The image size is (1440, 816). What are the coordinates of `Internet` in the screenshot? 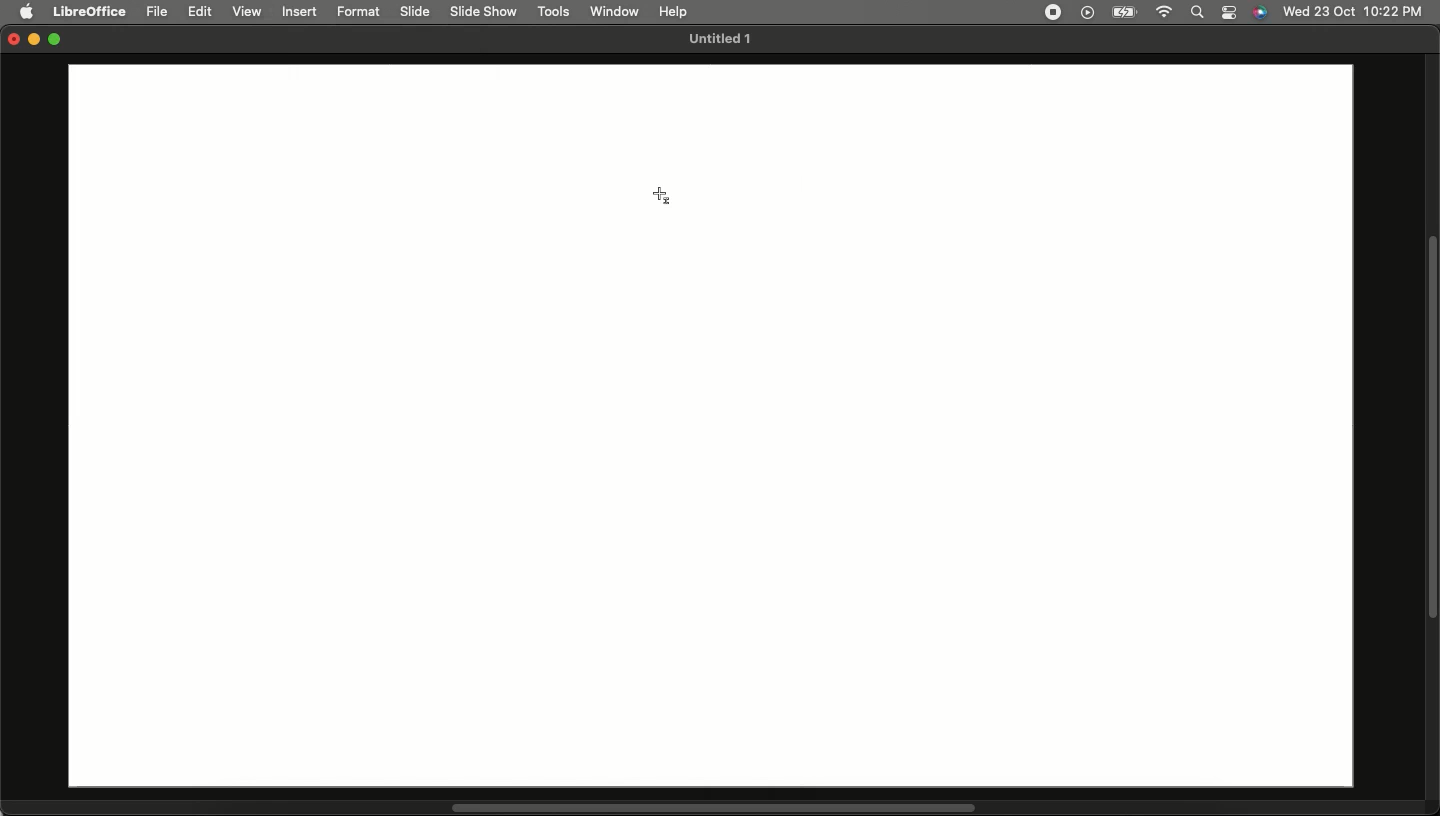 It's located at (1163, 13).